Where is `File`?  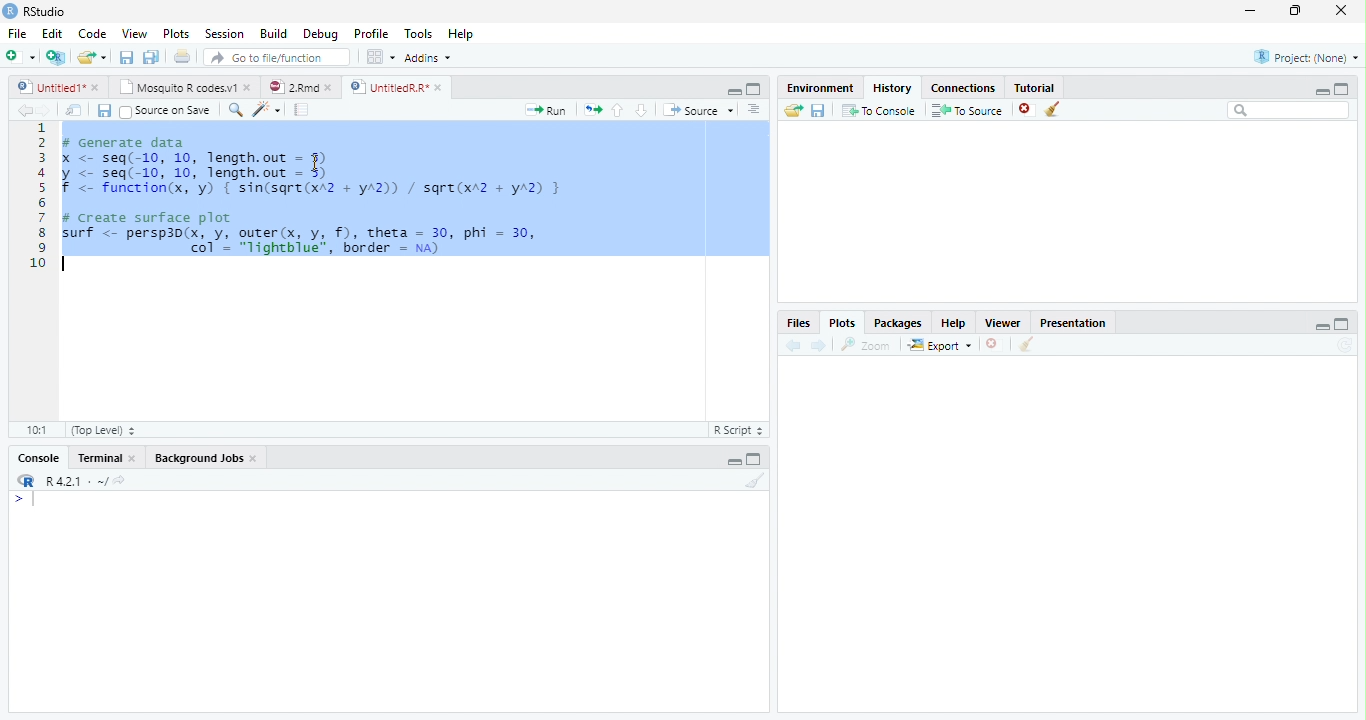
File is located at coordinates (17, 33).